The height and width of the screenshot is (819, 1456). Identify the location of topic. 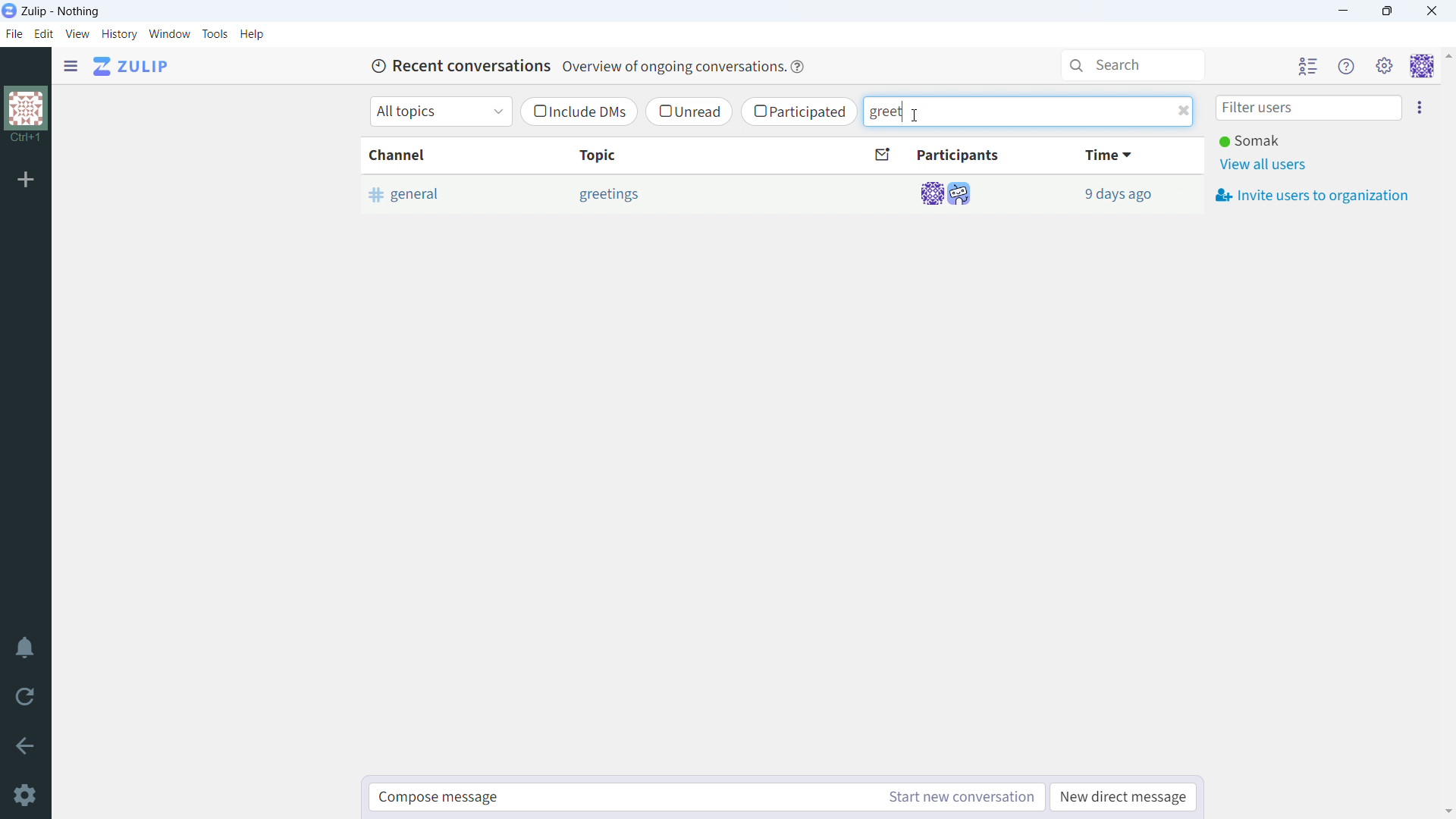
(691, 155).